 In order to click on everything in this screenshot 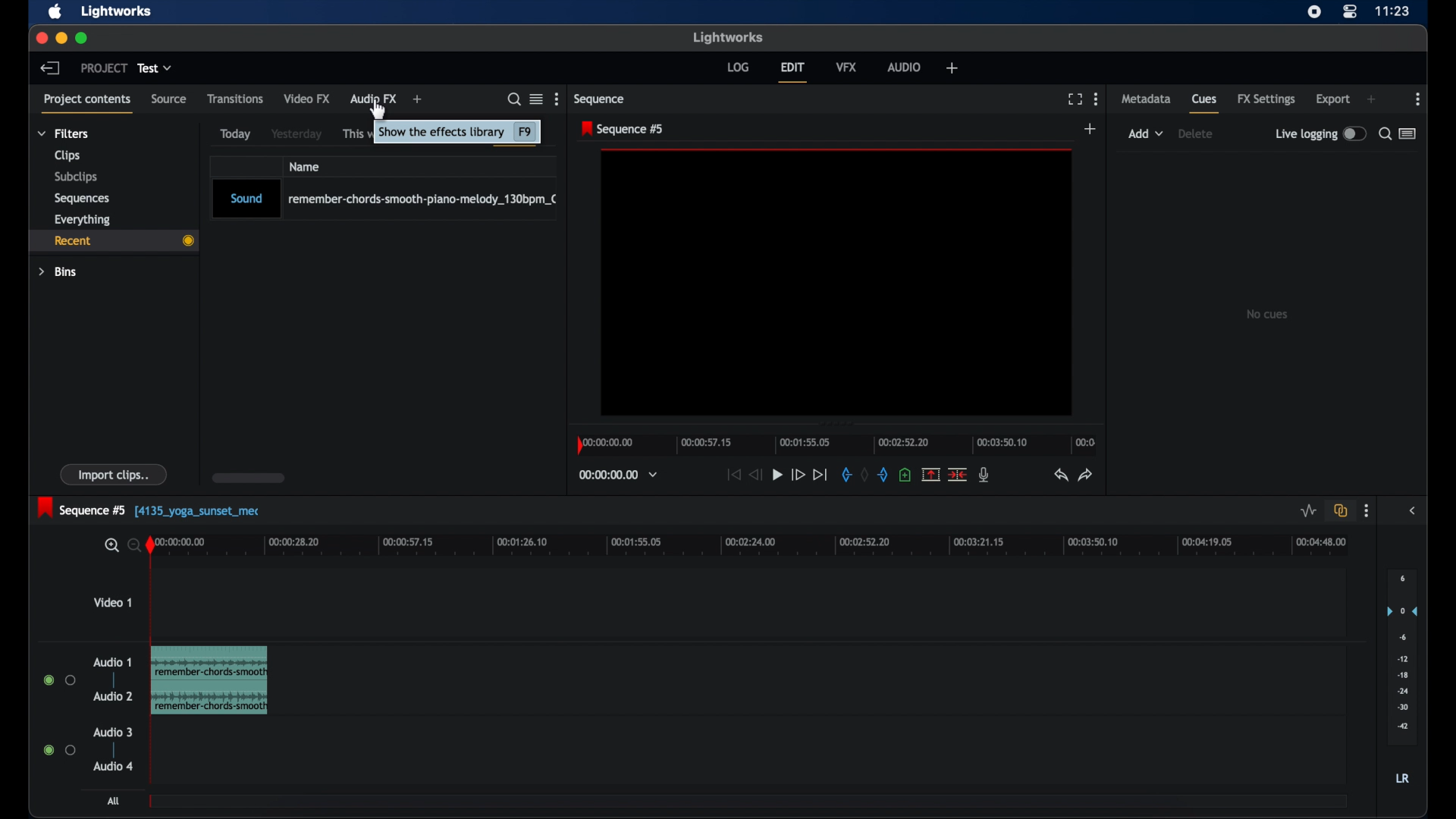, I will do `click(82, 219)`.